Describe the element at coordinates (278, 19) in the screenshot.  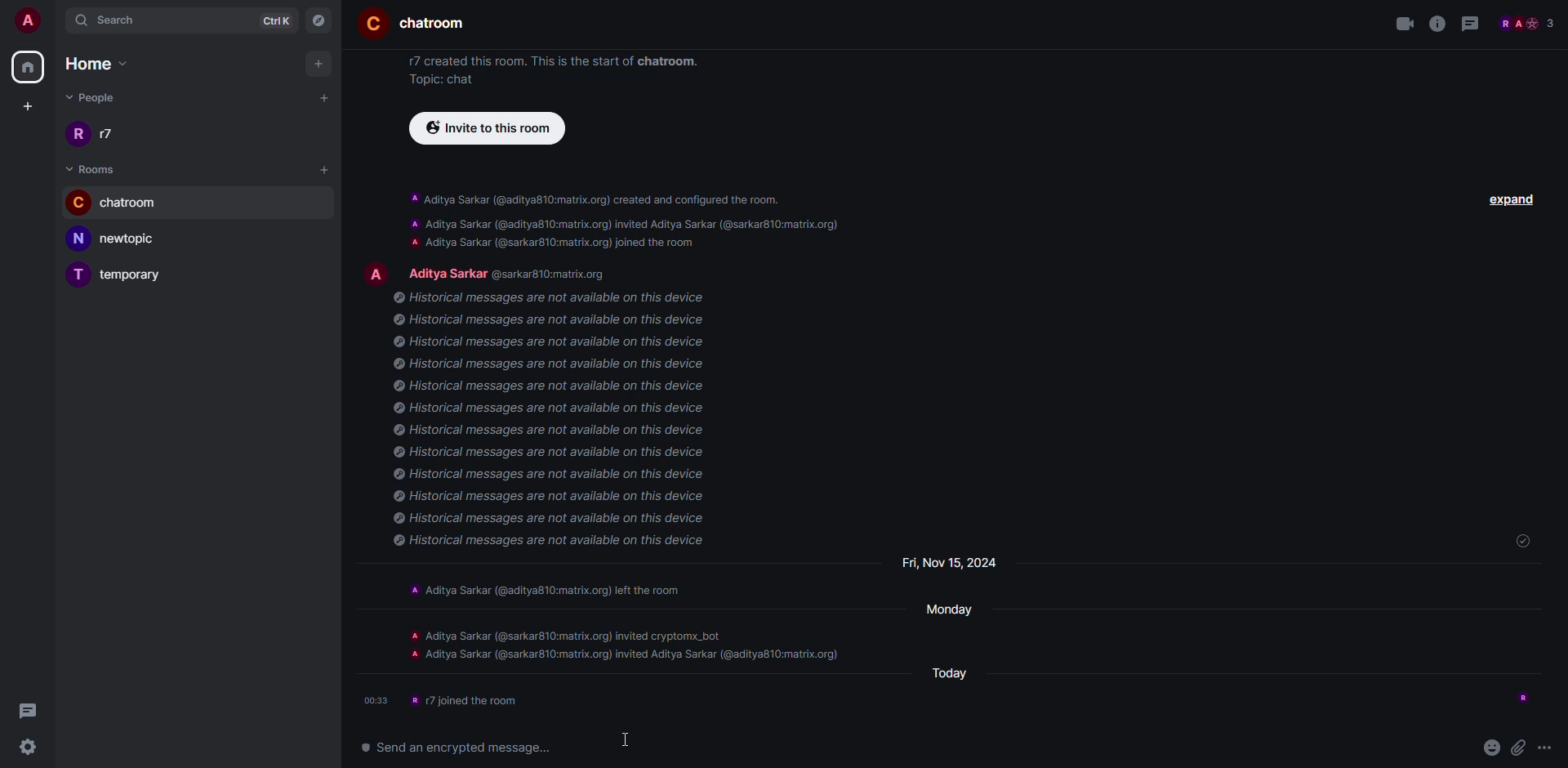
I see `ctrlK` at that location.